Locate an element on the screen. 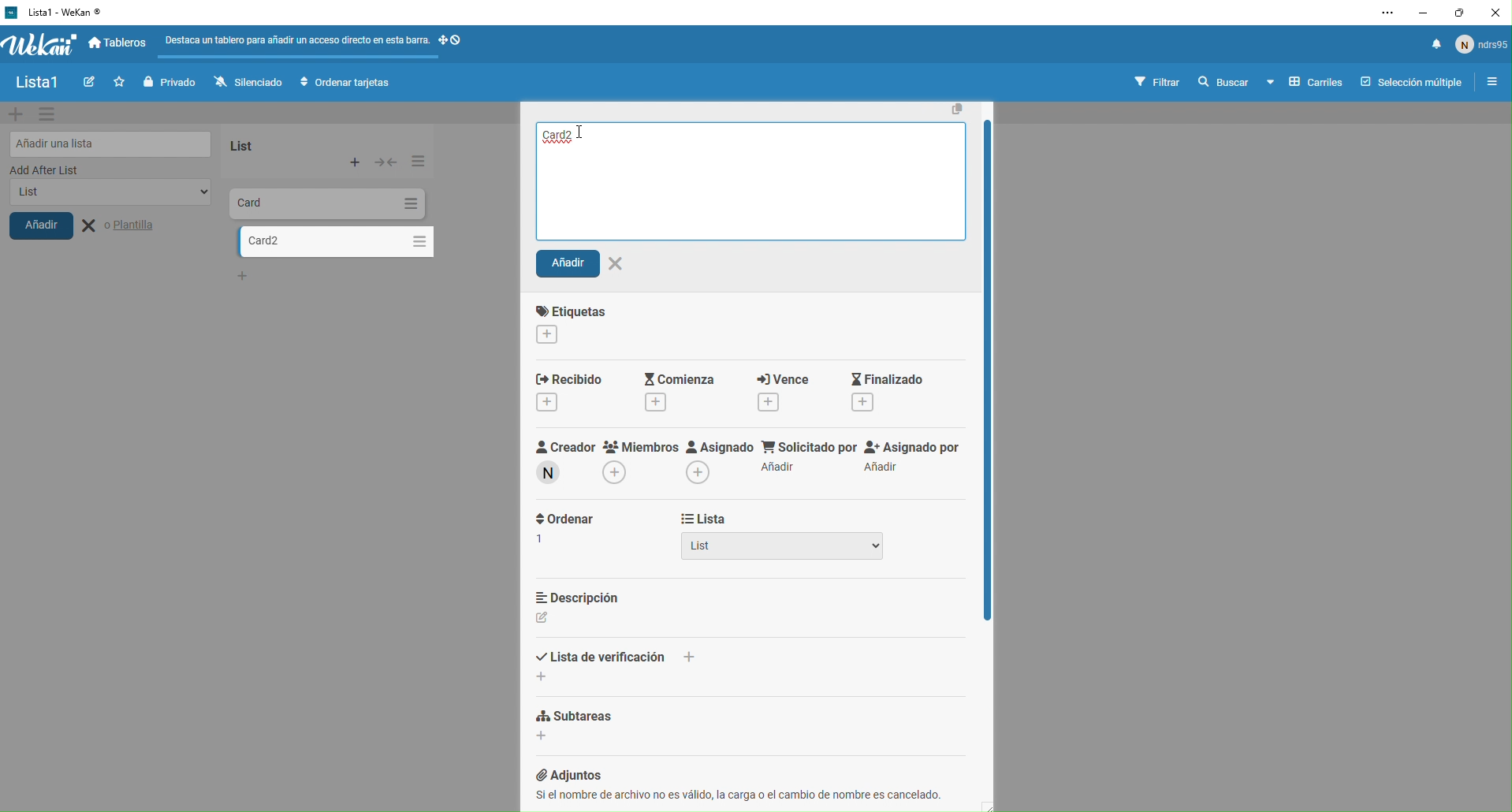 This screenshot has width=1512, height=812. Cursor is located at coordinates (585, 136).